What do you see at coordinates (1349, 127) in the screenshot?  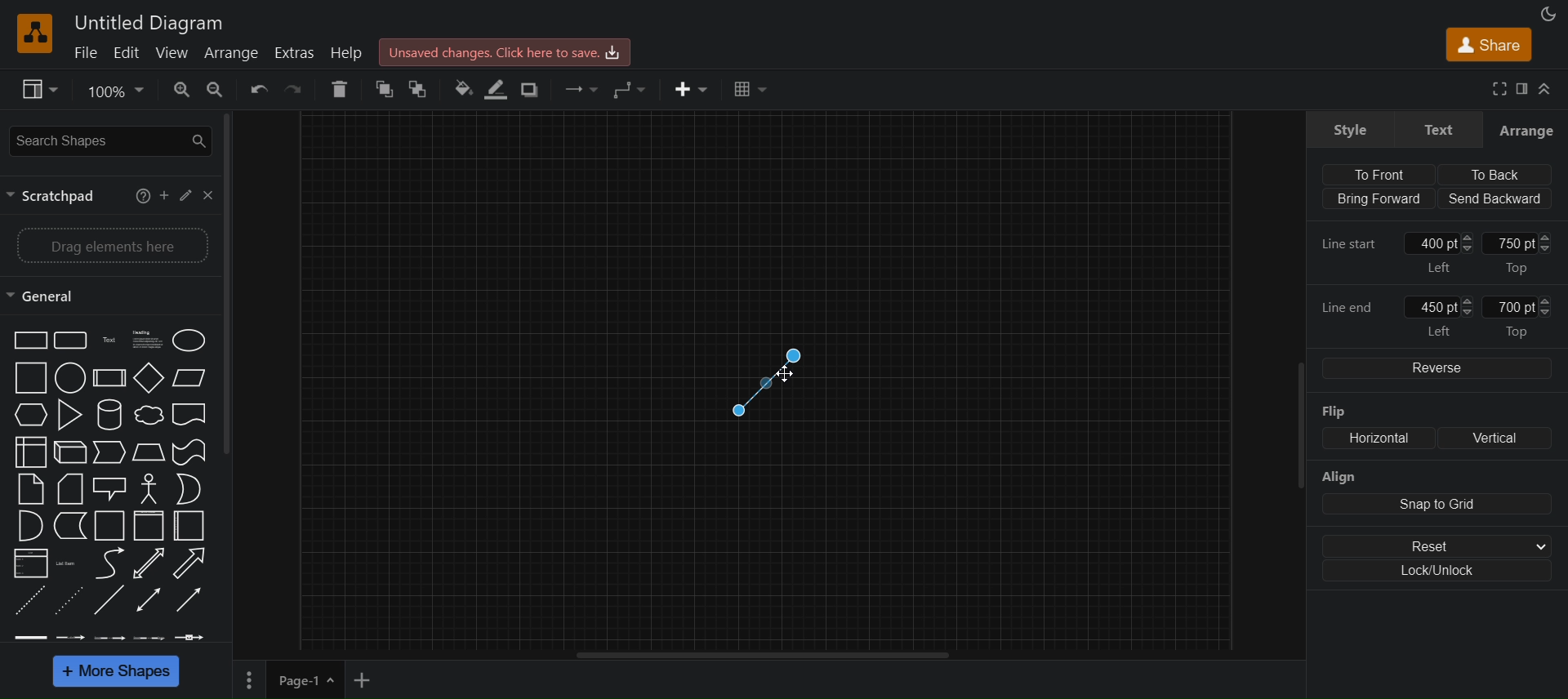 I see `style` at bounding box center [1349, 127].